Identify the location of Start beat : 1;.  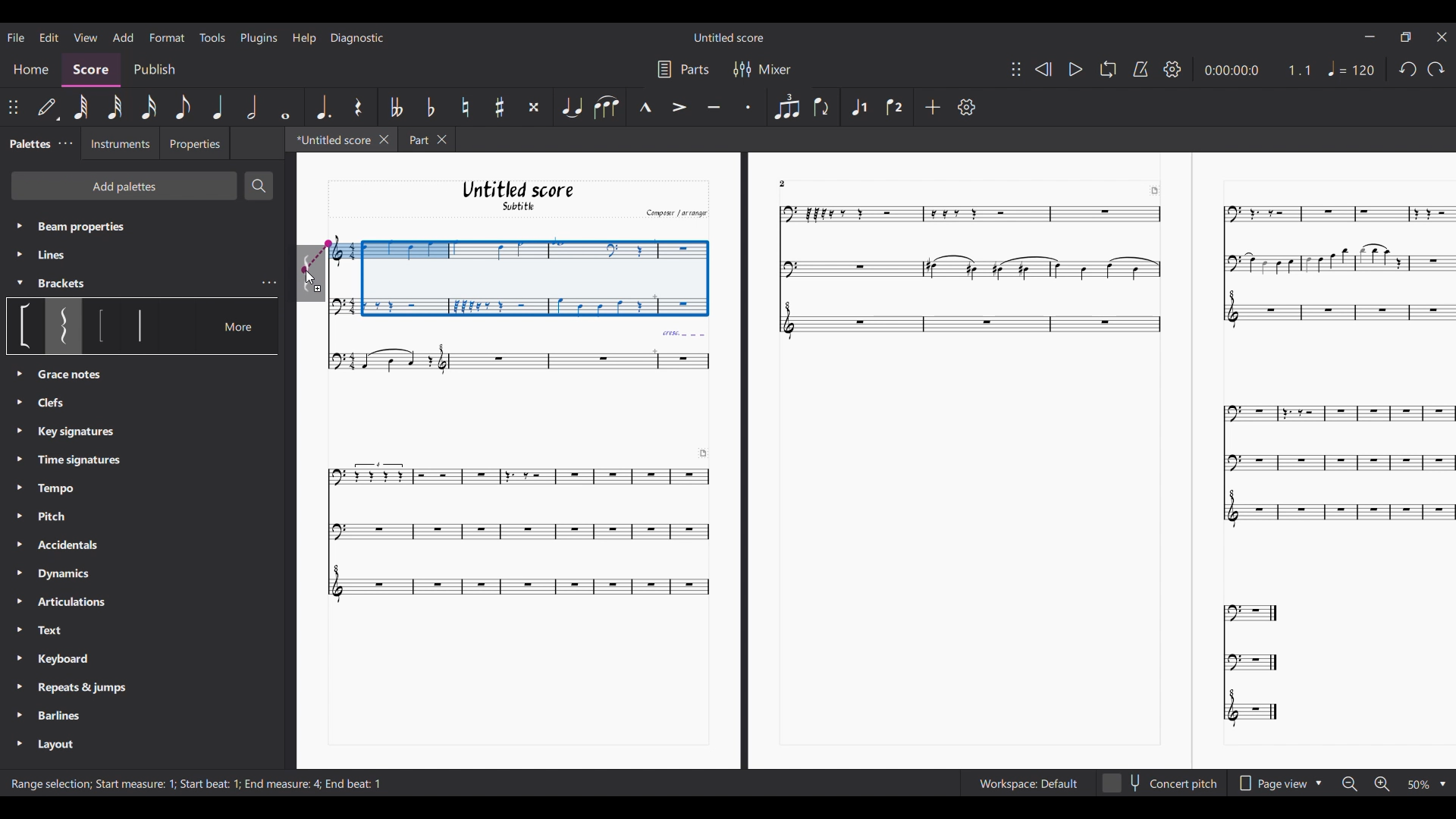
(211, 784).